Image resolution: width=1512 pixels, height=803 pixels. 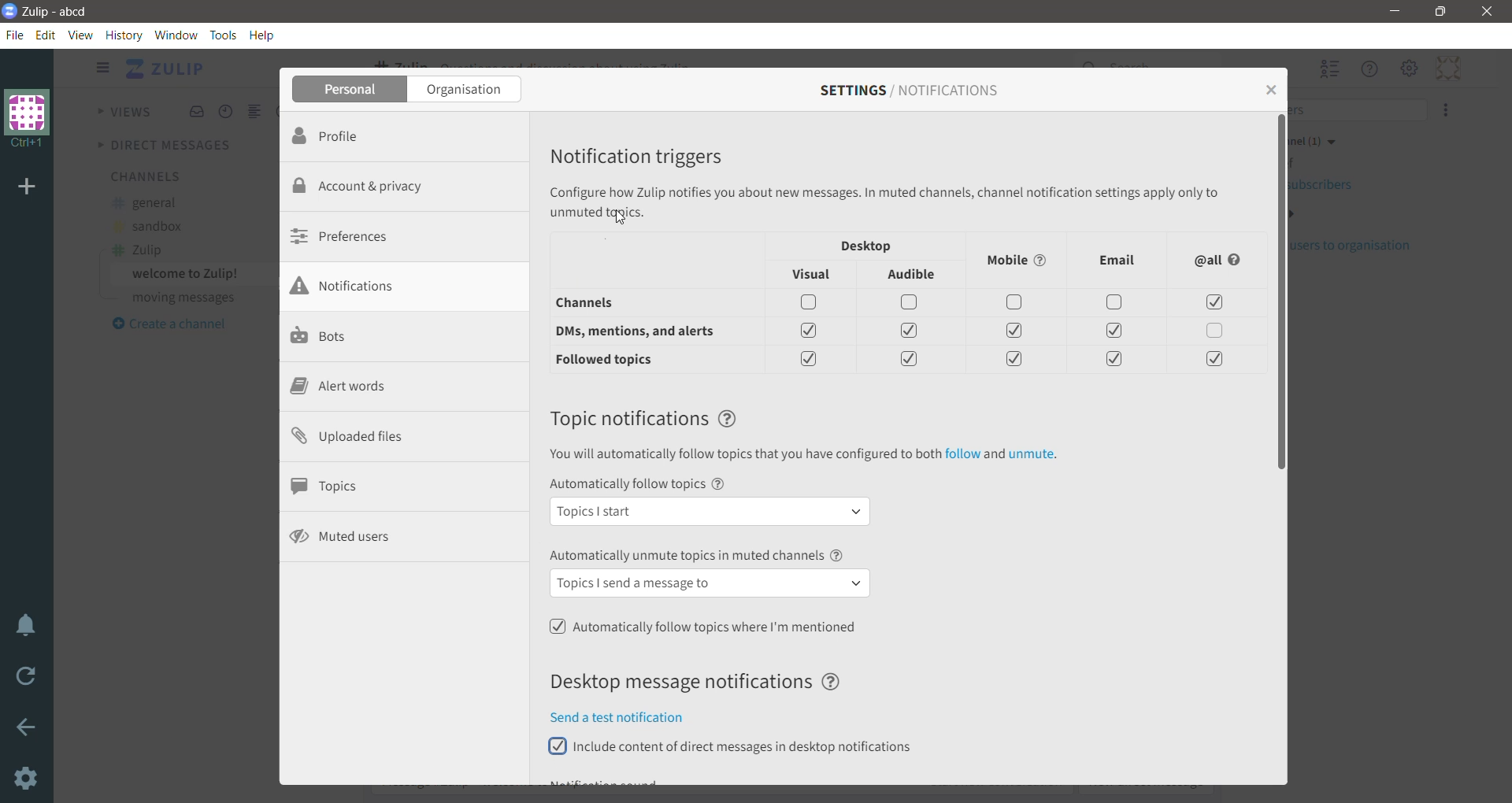 What do you see at coordinates (264, 35) in the screenshot?
I see `Help` at bounding box center [264, 35].